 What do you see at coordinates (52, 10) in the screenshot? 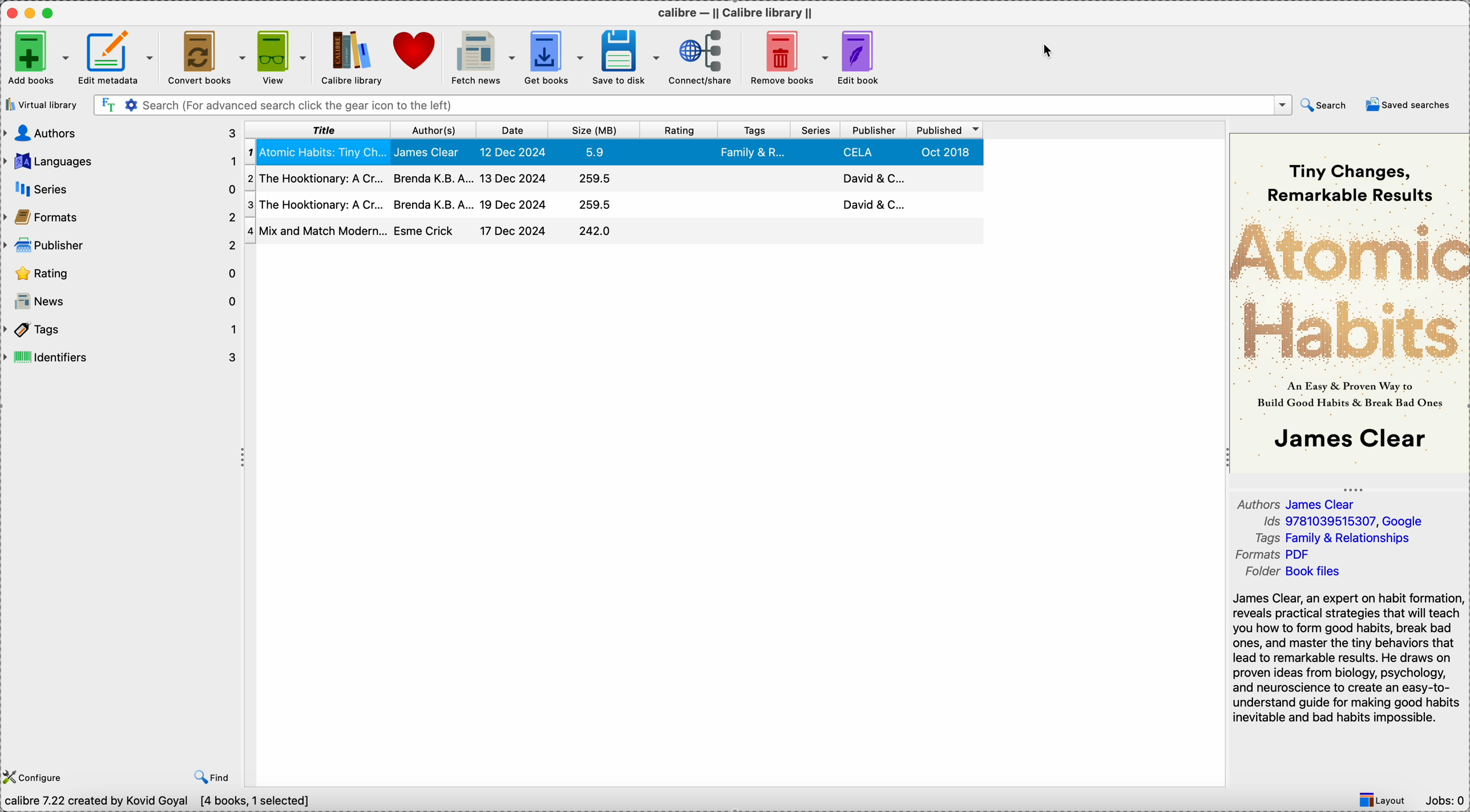
I see `maximize app` at bounding box center [52, 10].